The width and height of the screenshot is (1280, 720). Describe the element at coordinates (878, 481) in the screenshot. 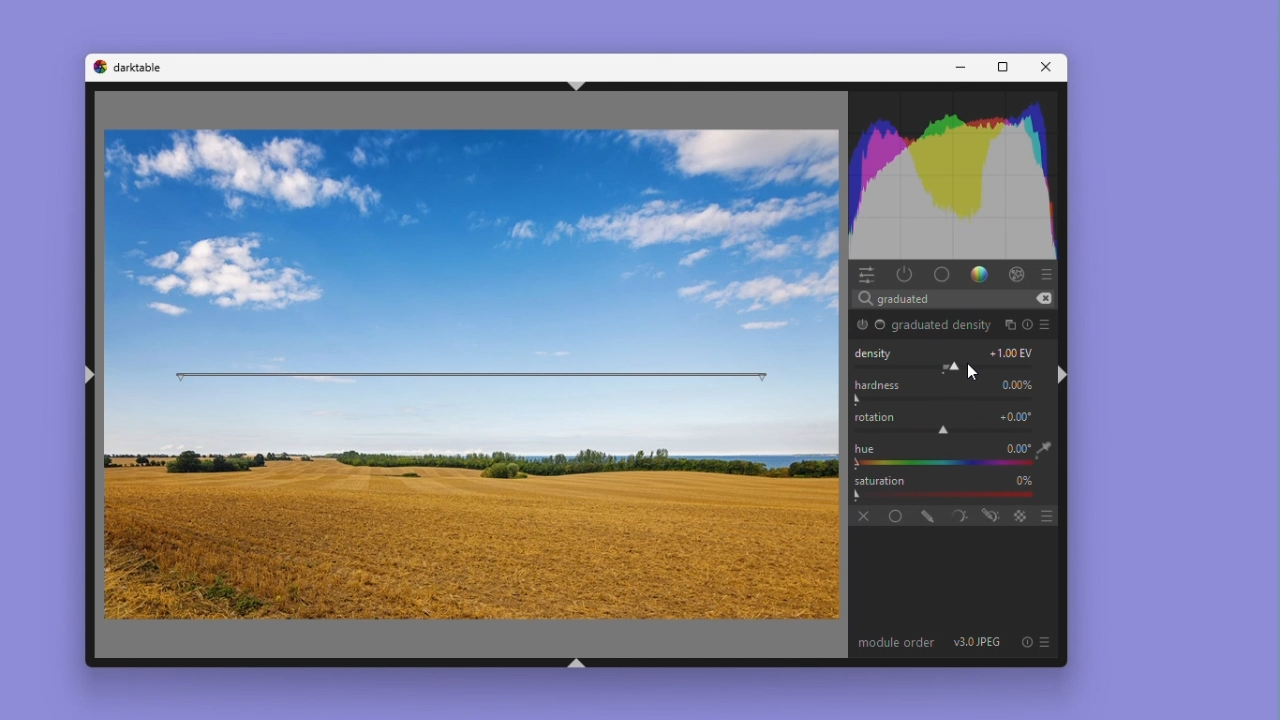

I see `Saturation` at that location.